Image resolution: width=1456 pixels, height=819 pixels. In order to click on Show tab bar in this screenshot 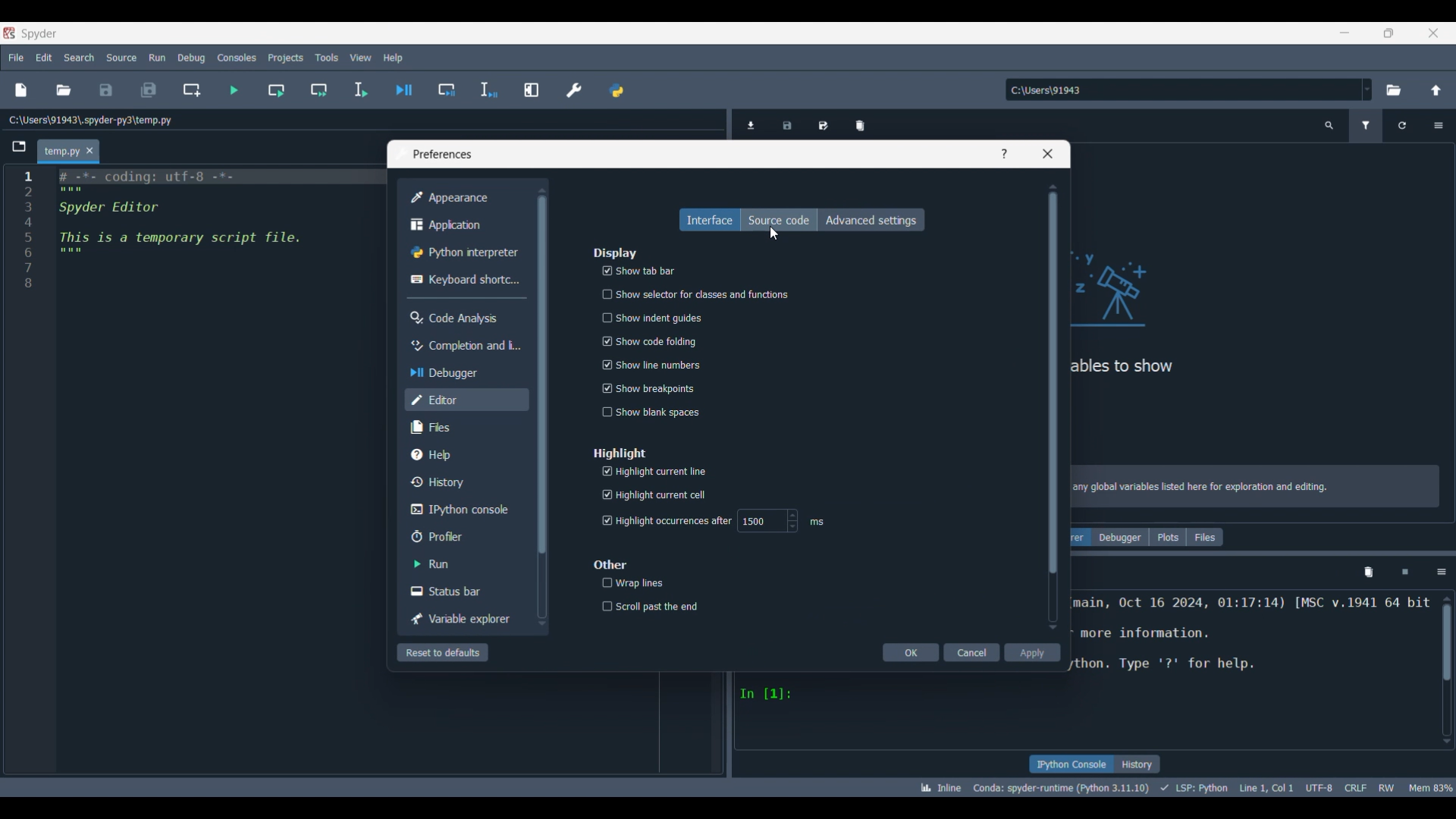, I will do `click(638, 271)`.